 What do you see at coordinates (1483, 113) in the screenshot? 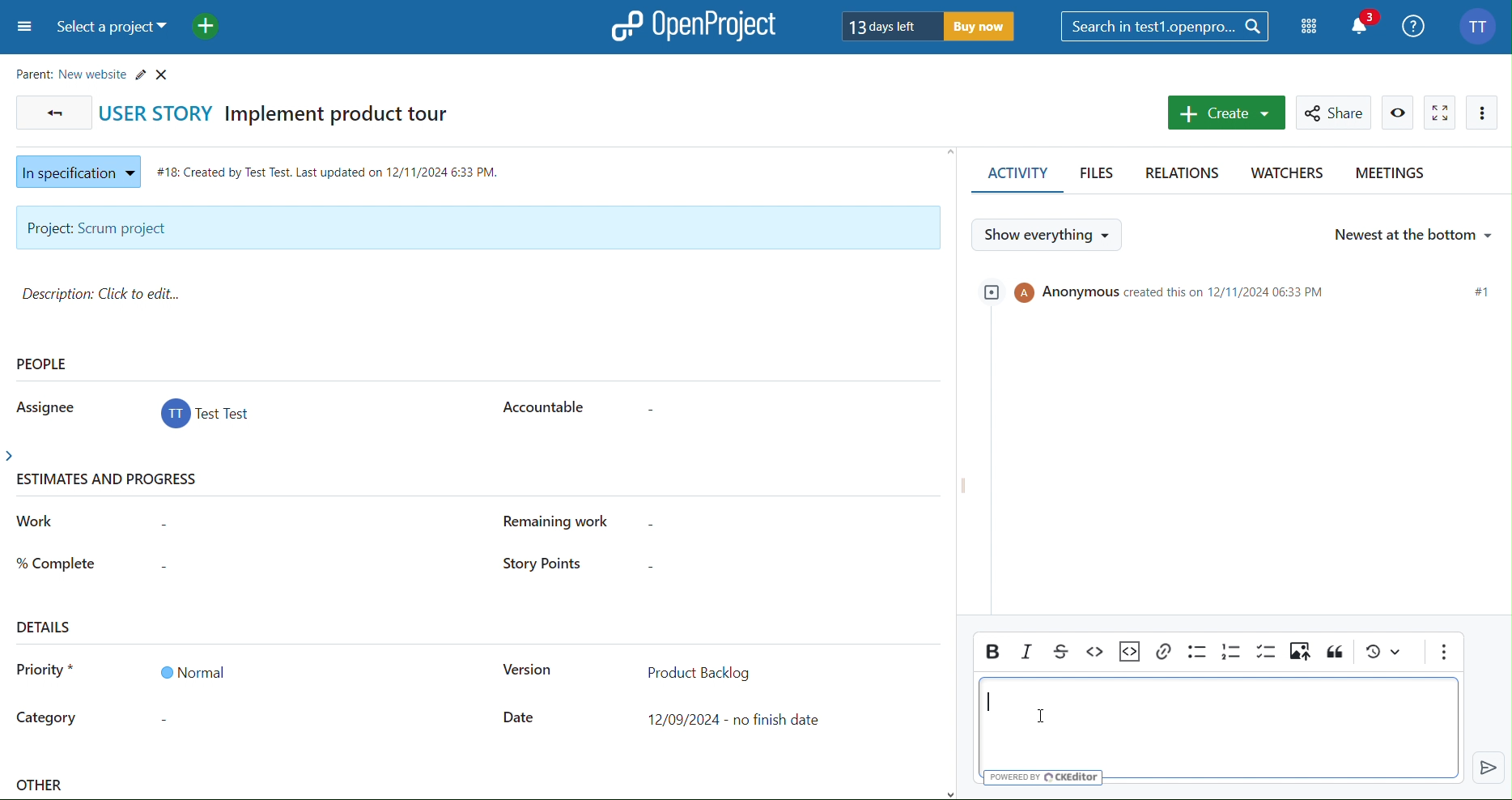
I see `More` at bounding box center [1483, 113].